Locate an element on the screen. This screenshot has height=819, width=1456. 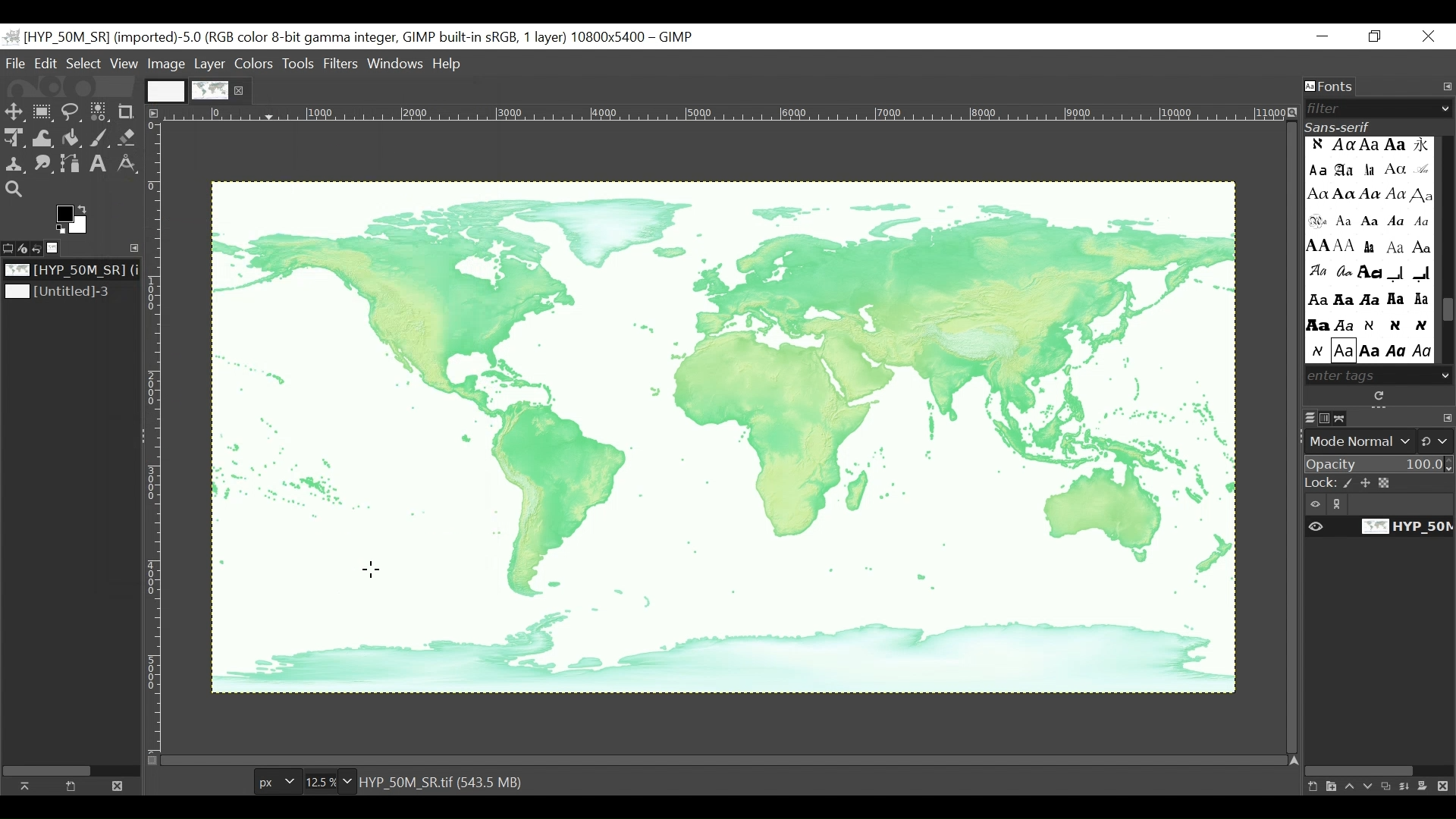
Pixels is located at coordinates (275, 783).